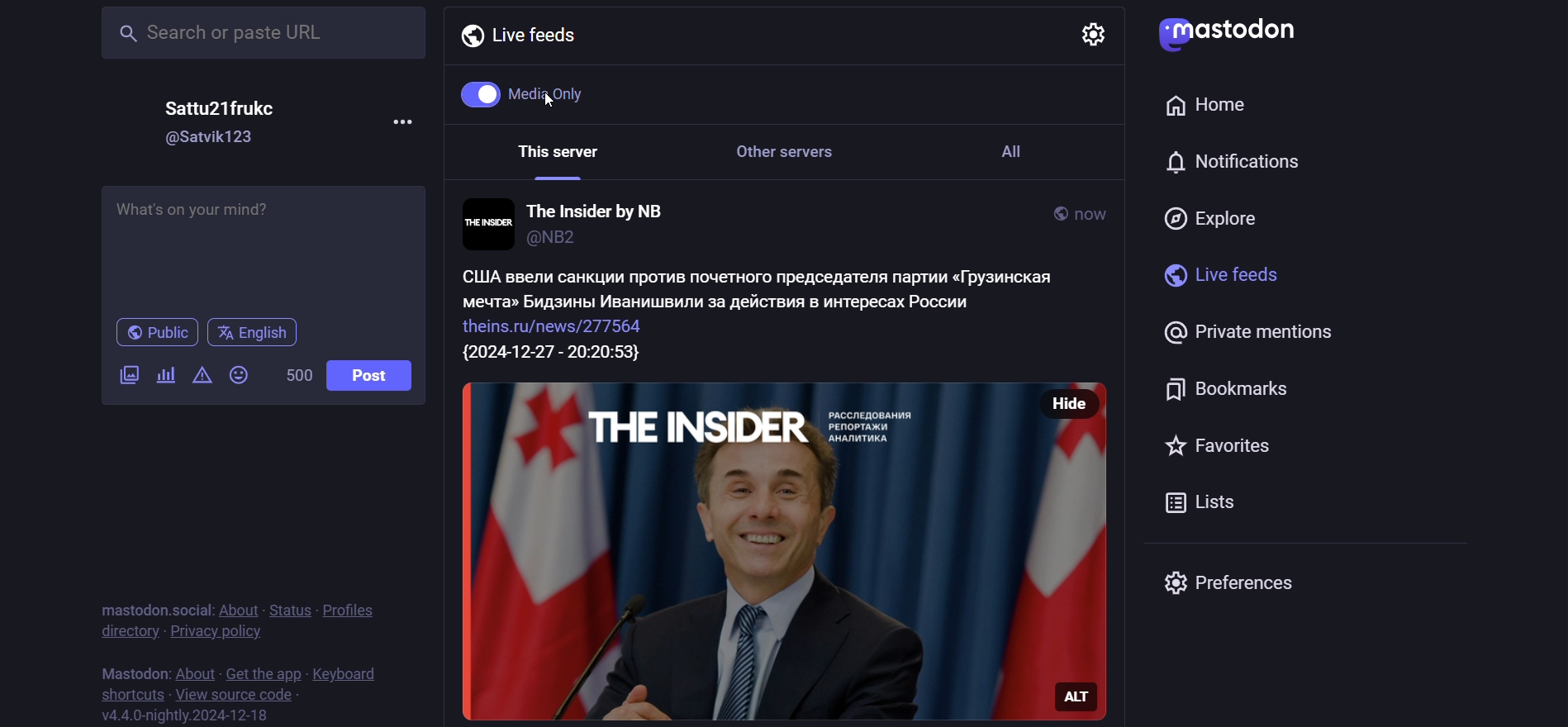 The image size is (1568, 727). What do you see at coordinates (233, 694) in the screenshot?
I see `source code` at bounding box center [233, 694].